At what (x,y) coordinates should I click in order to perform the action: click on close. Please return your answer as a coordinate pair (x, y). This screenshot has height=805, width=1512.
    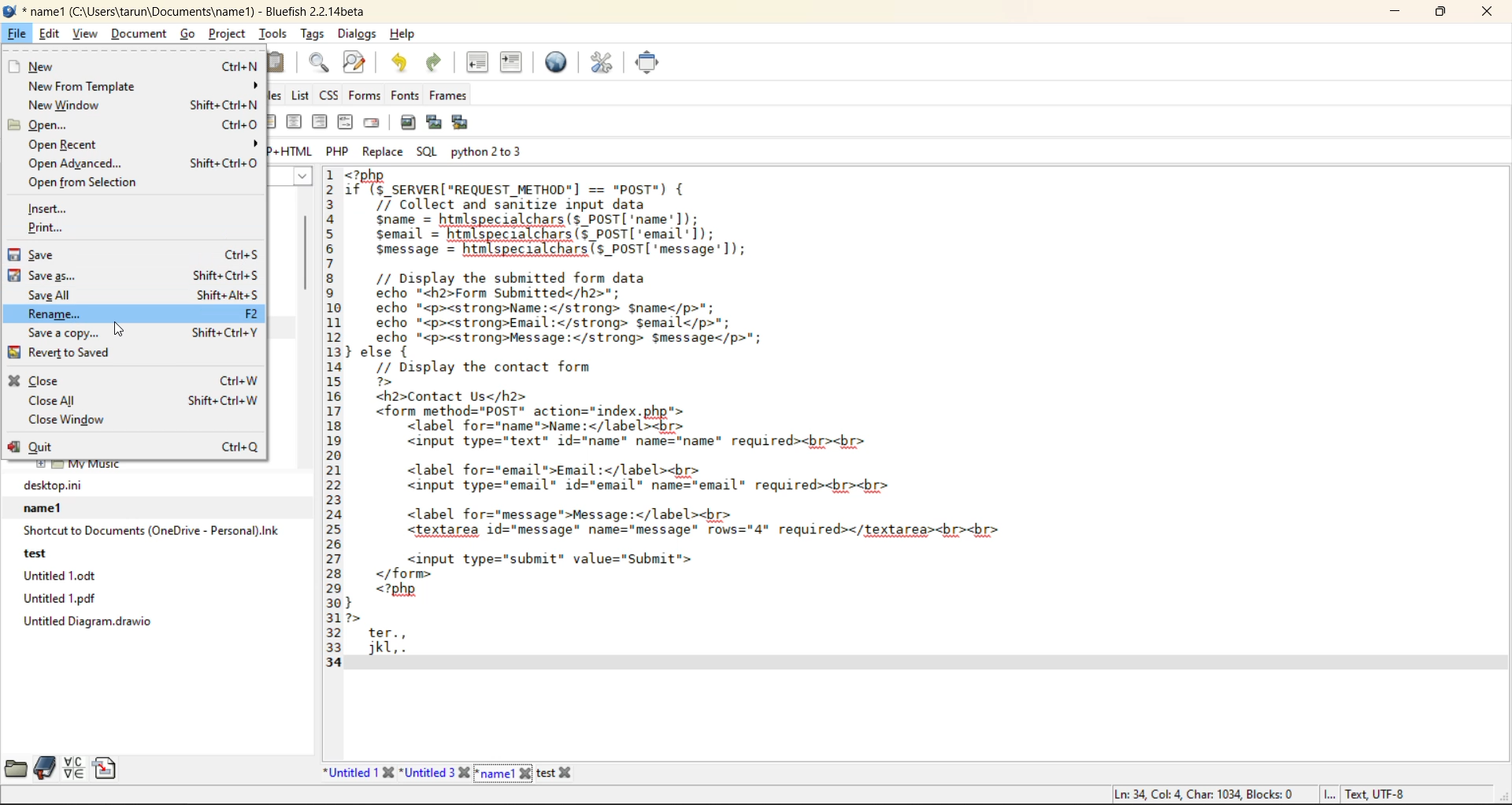
    Looking at the image, I should click on (135, 381).